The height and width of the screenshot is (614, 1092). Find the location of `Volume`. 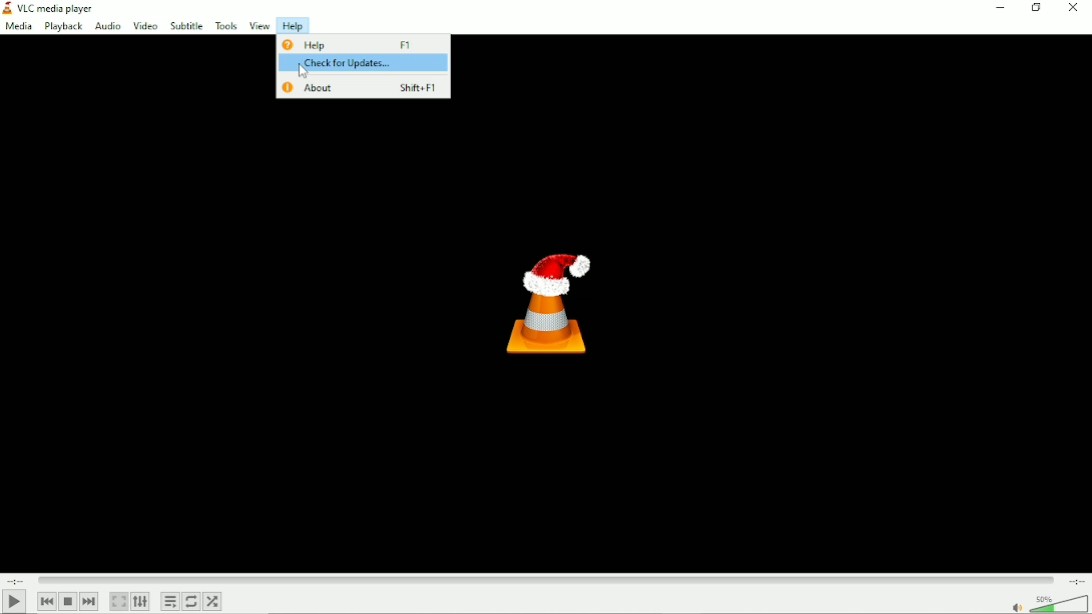

Volume is located at coordinates (1059, 604).